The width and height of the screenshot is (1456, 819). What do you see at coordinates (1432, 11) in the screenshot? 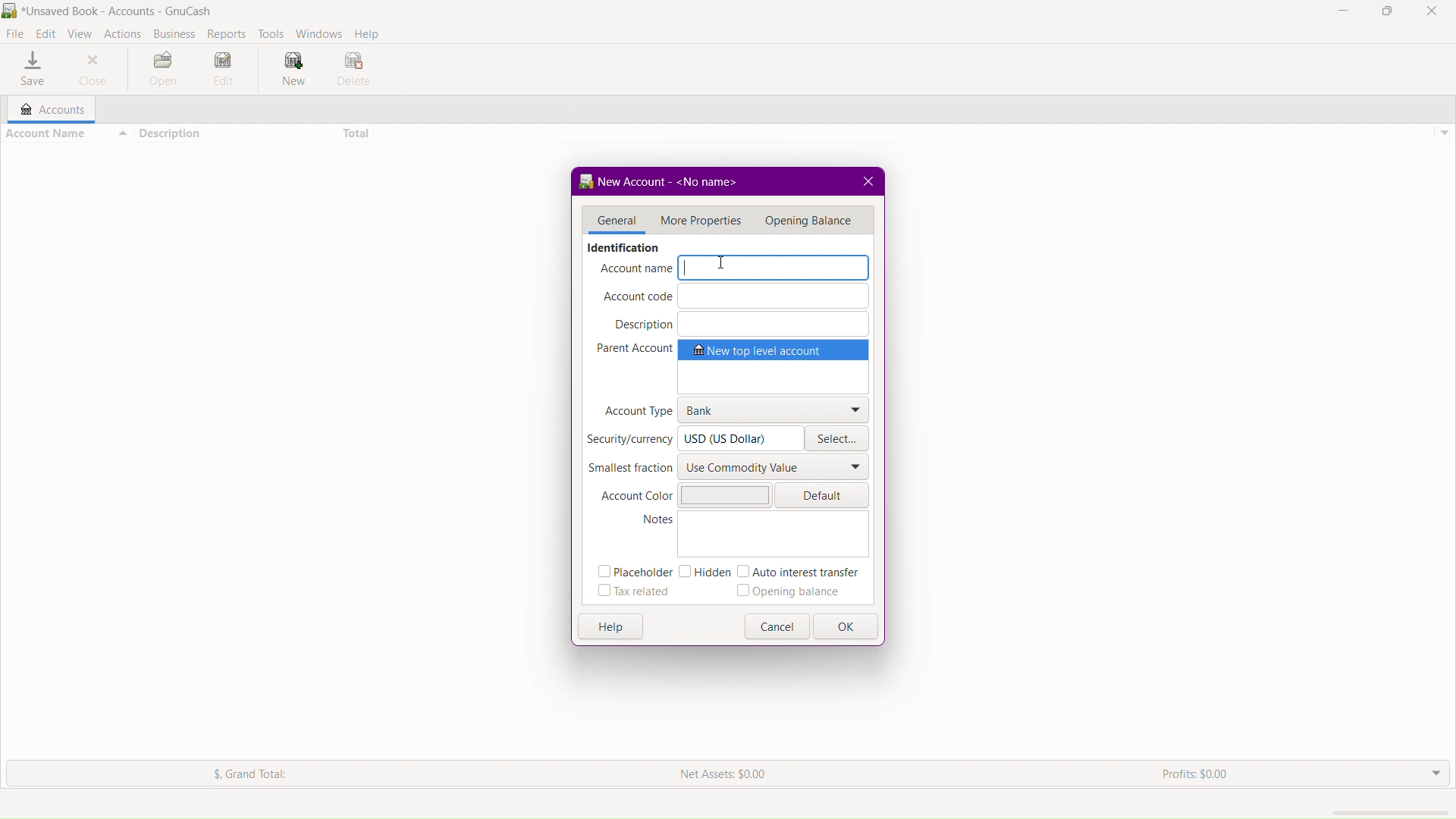
I see `Close` at bounding box center [1432, 11].